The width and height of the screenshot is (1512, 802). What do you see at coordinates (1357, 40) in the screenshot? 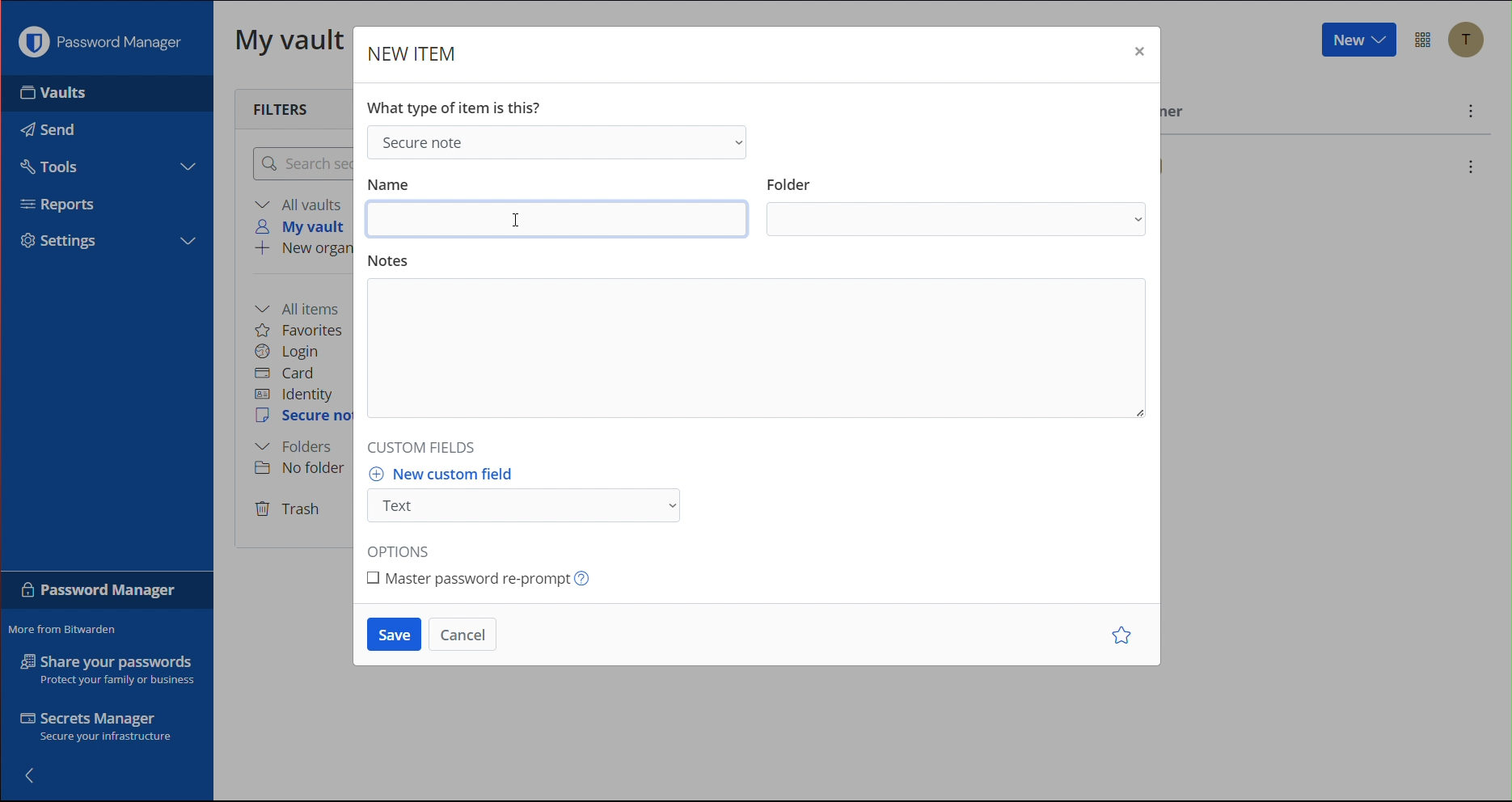
I see `New` at bounding box center [1357, 40].